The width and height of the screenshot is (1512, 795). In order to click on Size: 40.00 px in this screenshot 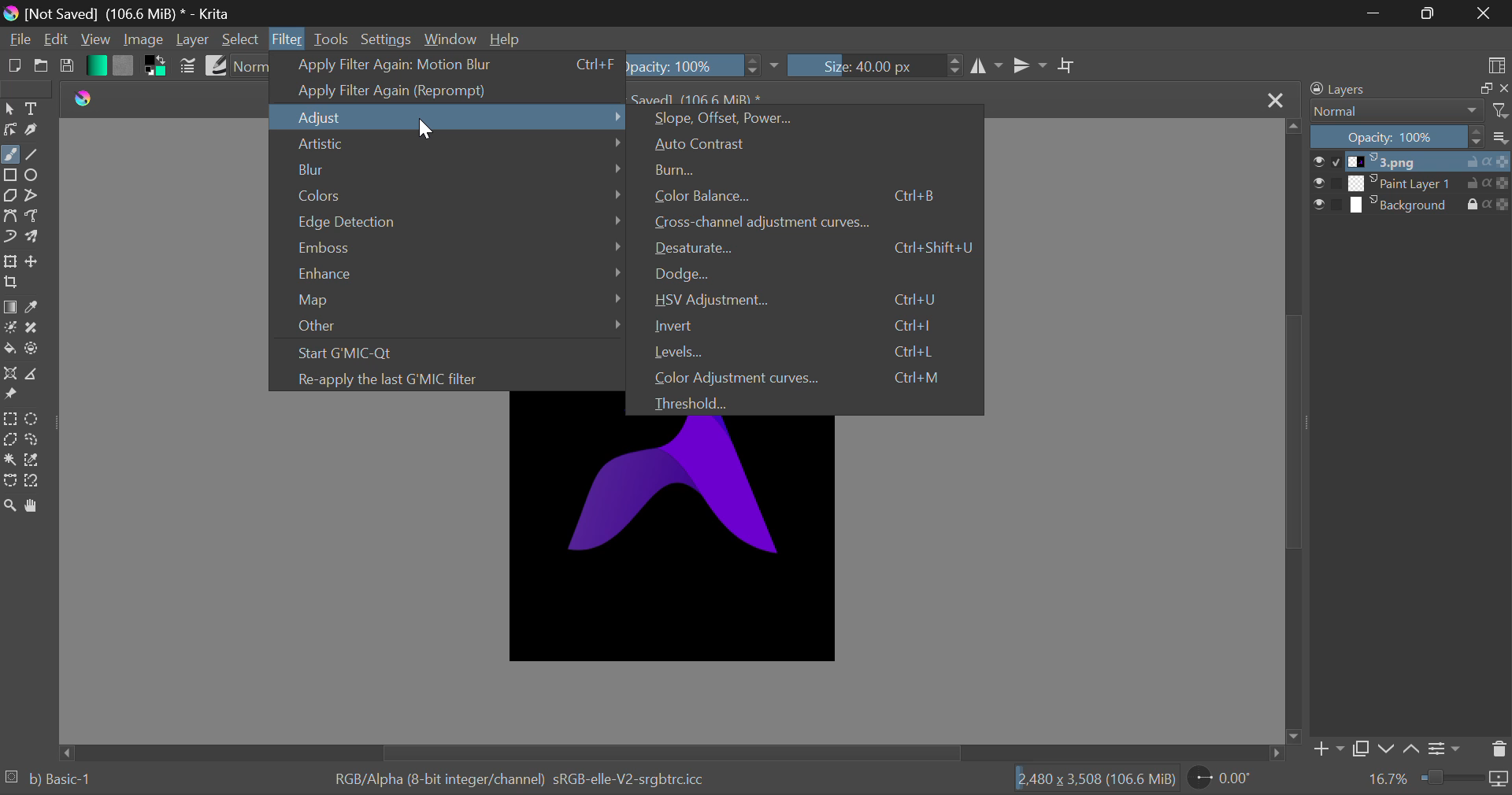, I will do `click(877, 66)`.